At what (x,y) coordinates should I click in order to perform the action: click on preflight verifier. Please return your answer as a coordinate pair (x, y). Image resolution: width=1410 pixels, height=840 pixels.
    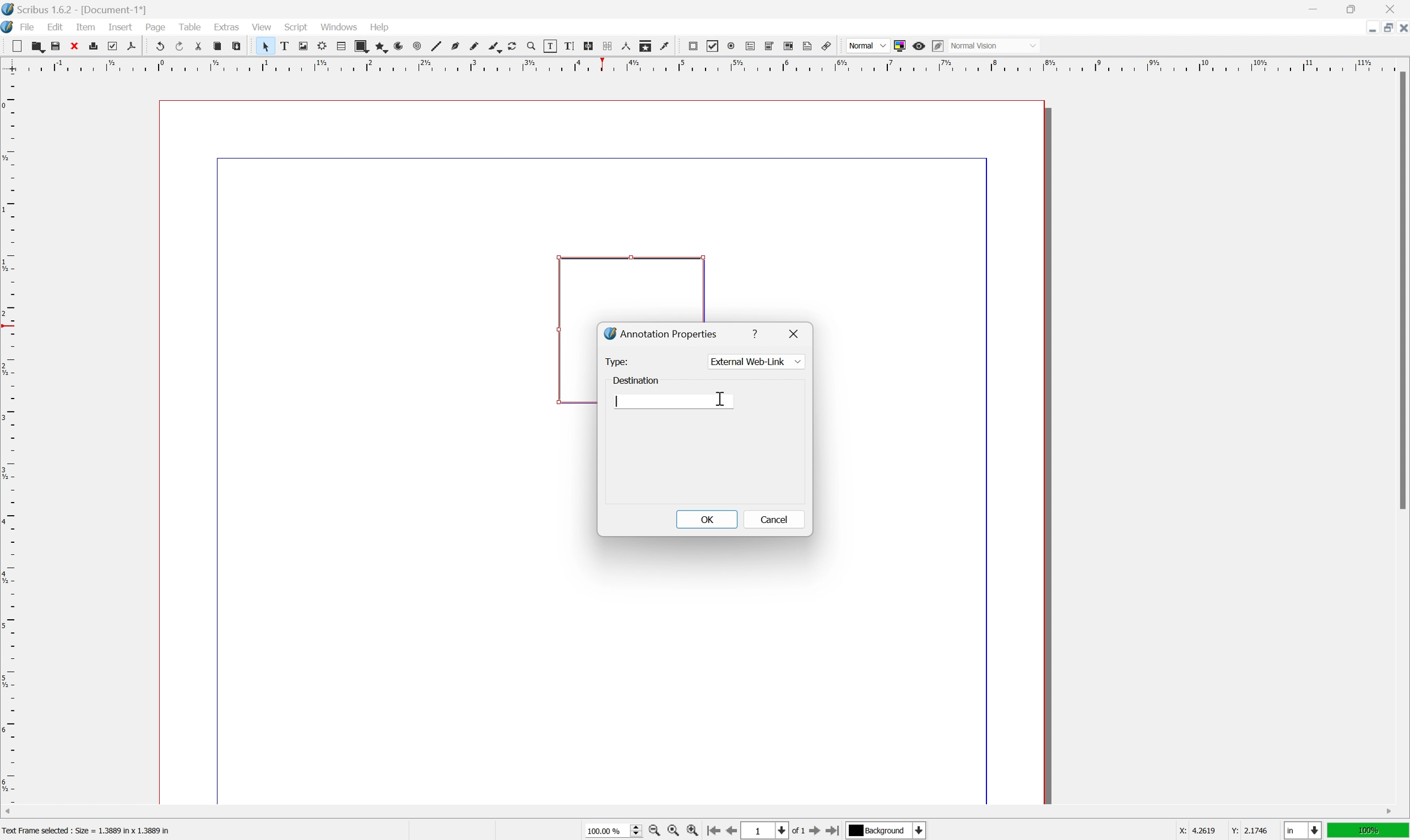
    Looking at the image, I should click on (113, 46).